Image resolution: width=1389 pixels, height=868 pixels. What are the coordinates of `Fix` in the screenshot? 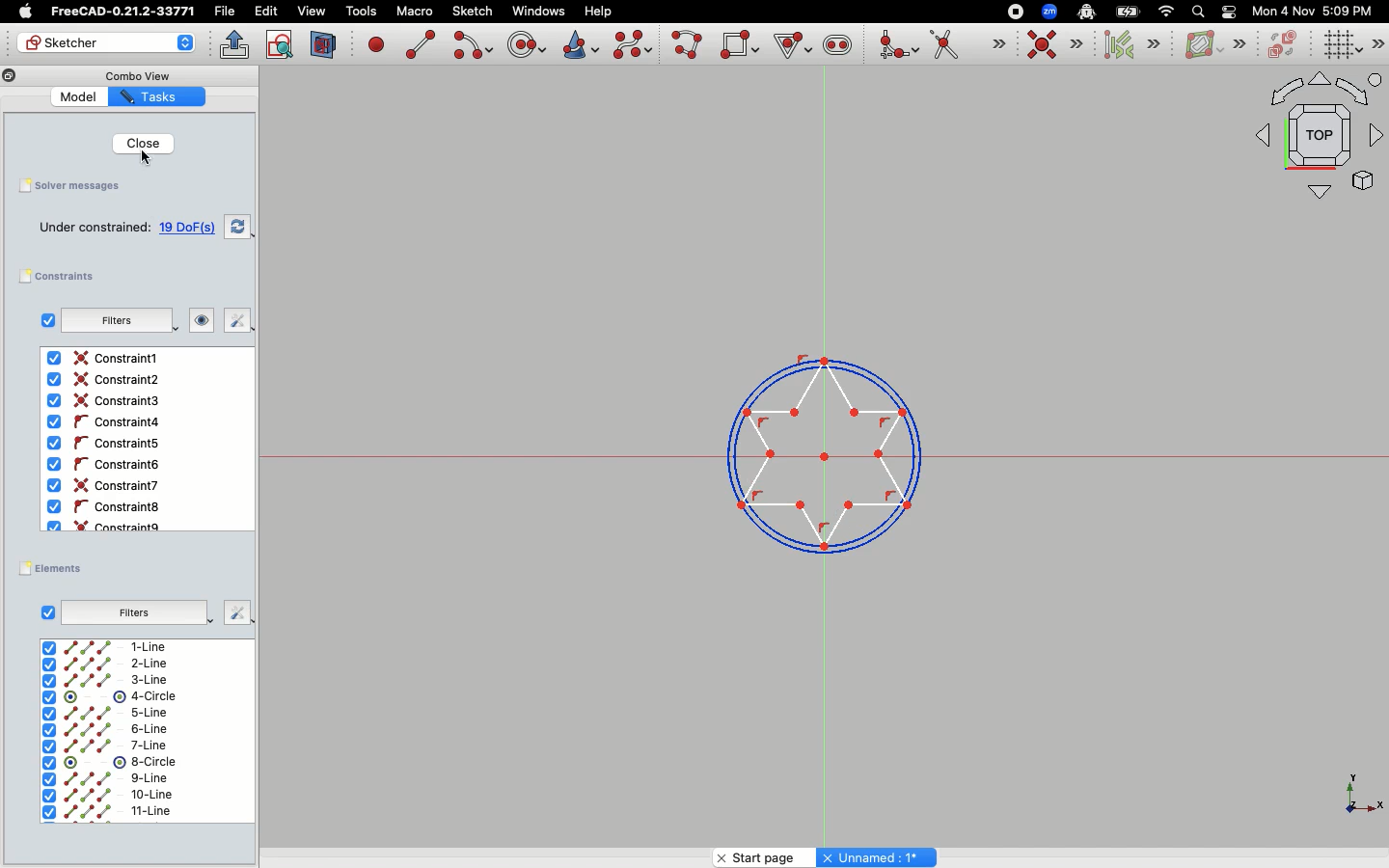 It's located at (231, 611).